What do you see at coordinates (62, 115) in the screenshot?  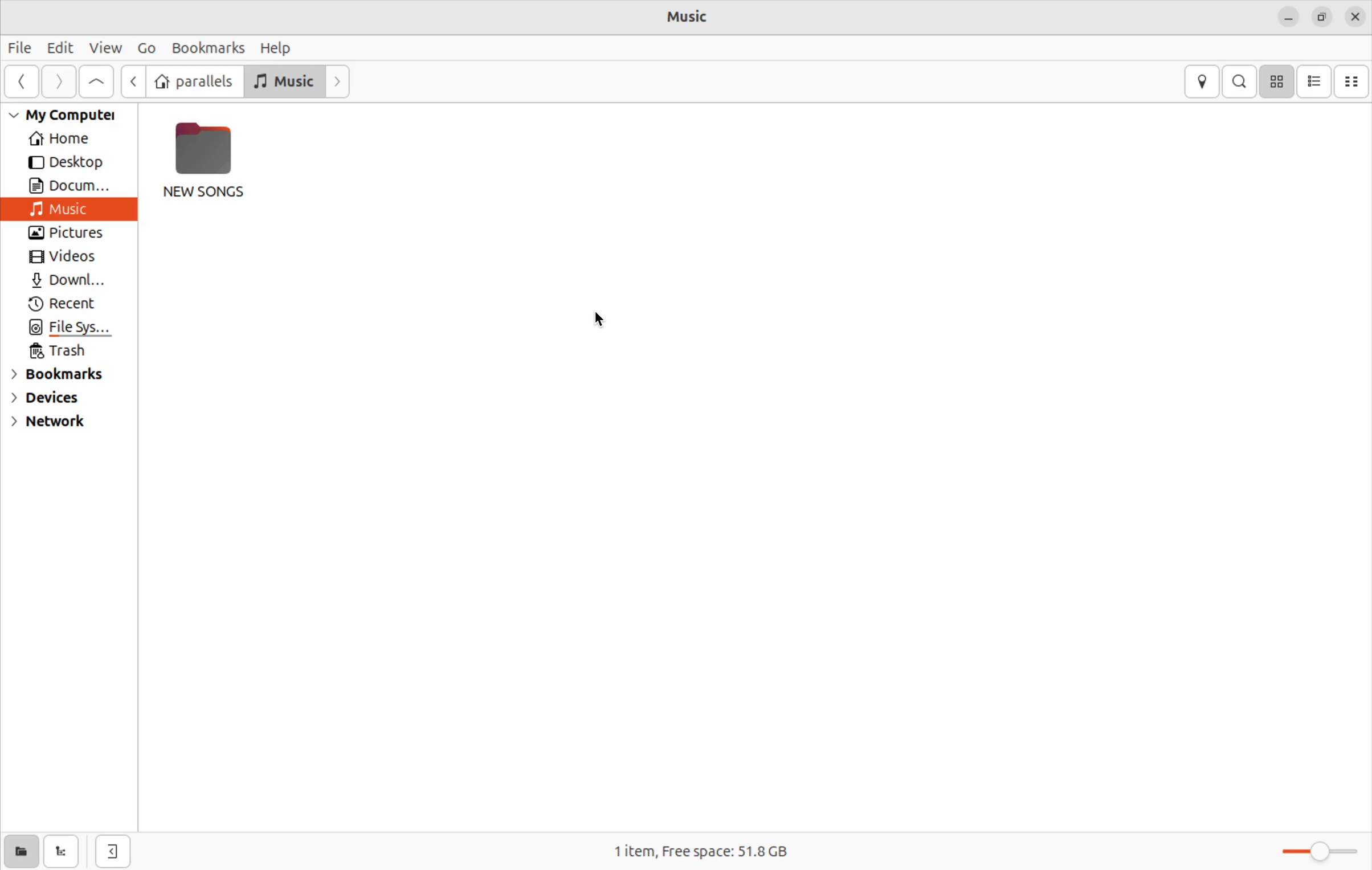 I see `My Computer` at bounding box center [62, 115].